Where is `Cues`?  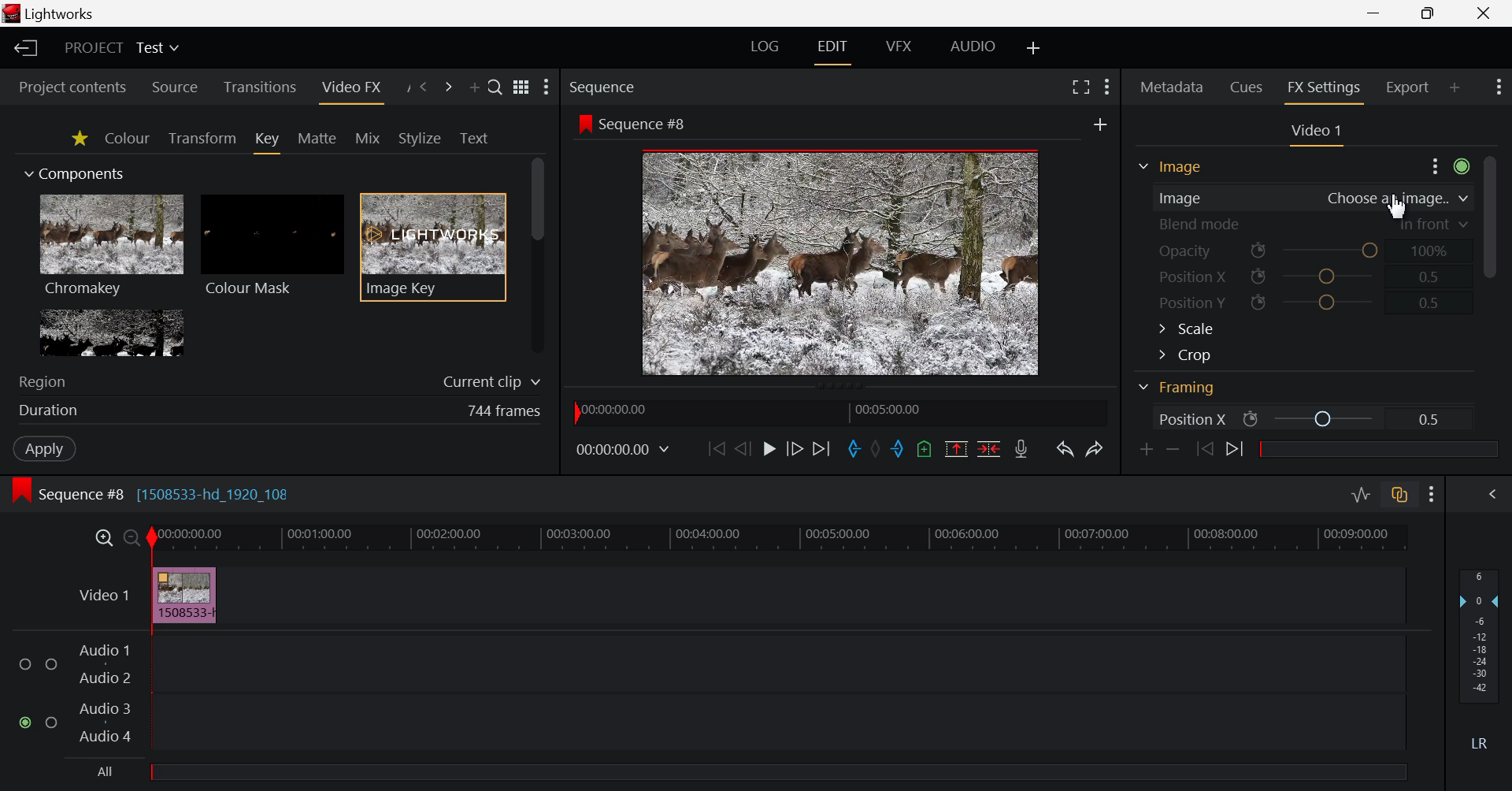 Cues is located at coordinates (1243, 87).